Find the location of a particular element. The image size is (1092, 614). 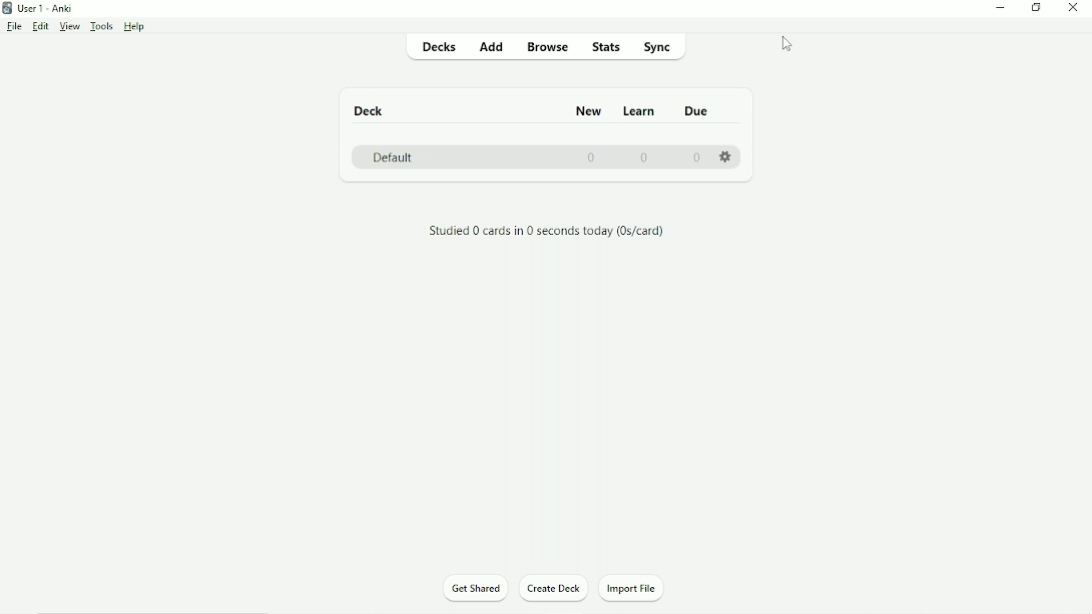

Restore down is located at coordinates (1036, 8).